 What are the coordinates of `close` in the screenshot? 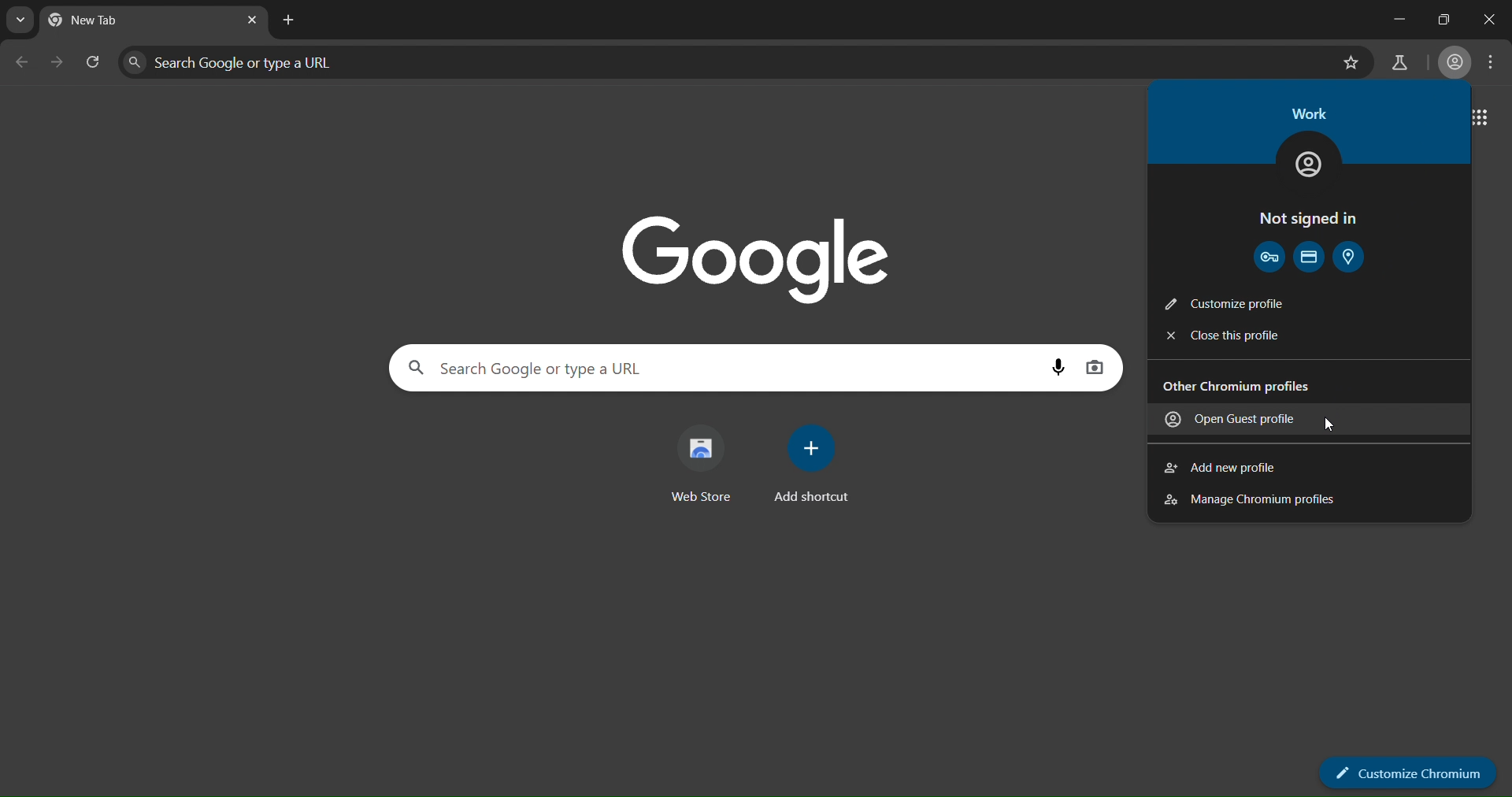 It's located at (1494, 20).